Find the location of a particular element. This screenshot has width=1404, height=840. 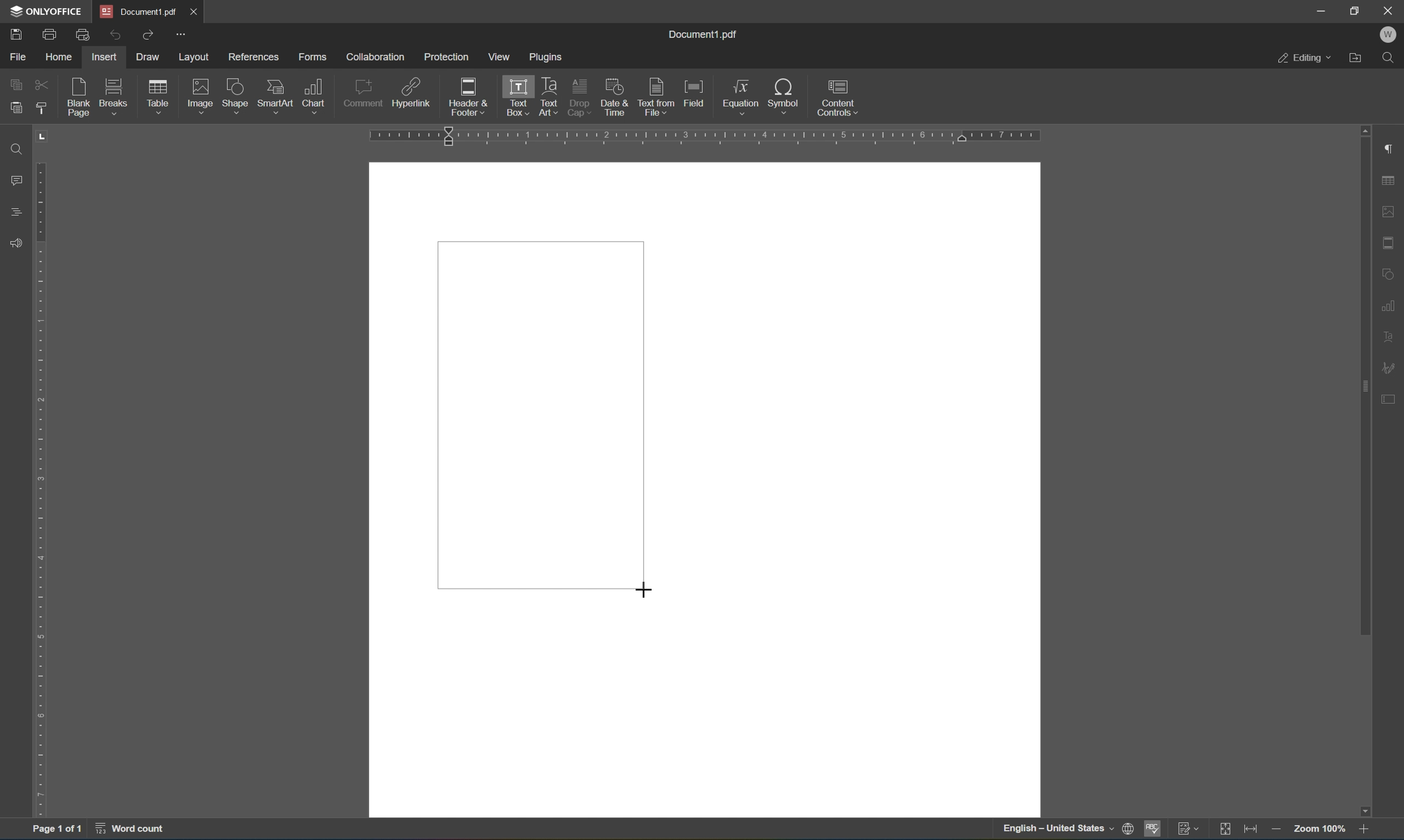

copy is located at coordinates (16, 84).